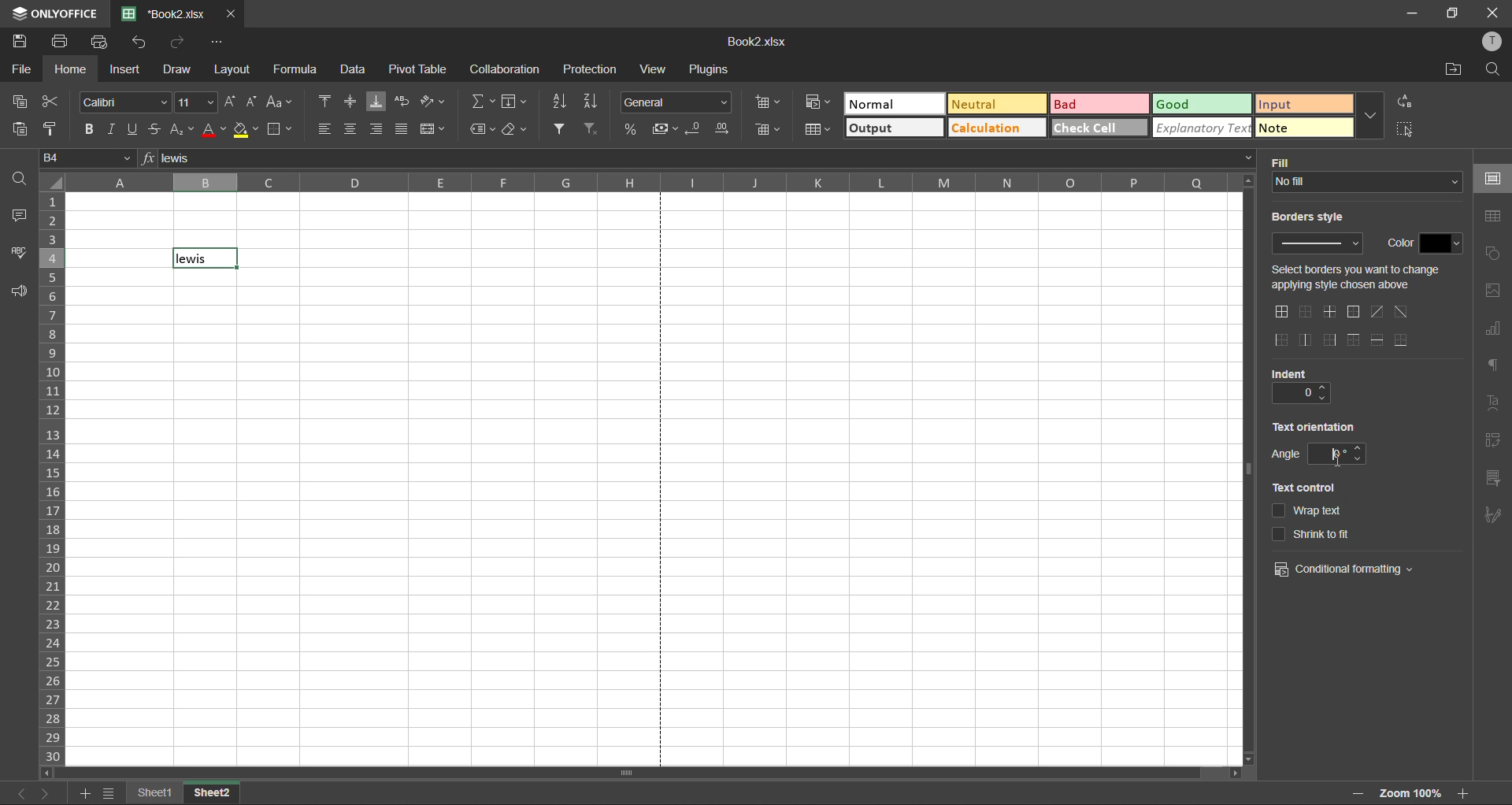 The image size is (1512, 805). I want to click on select all, so click(1403, 130).